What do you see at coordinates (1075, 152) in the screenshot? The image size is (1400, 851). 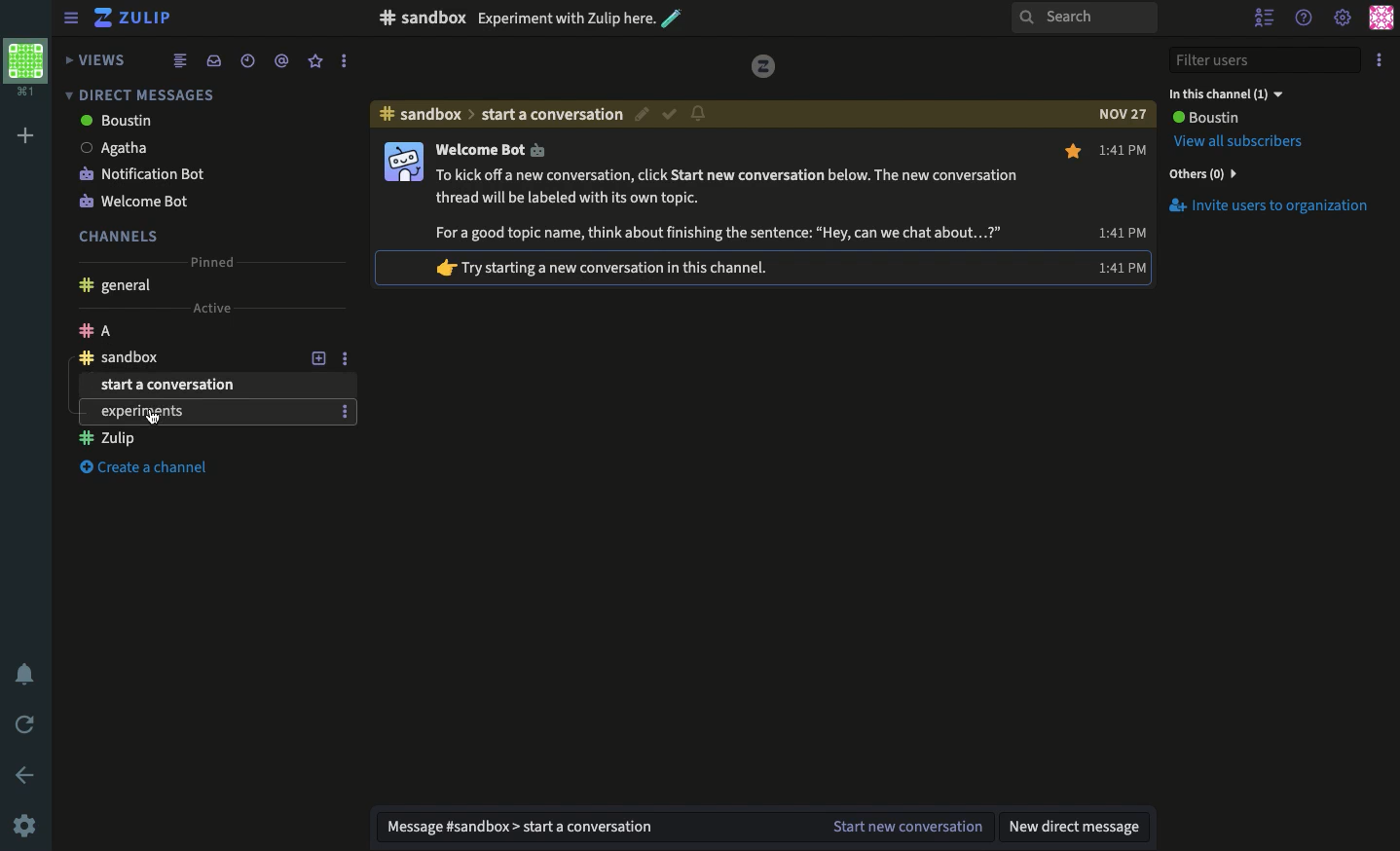 I see `Favorite` at bounding box center [1075, 152].